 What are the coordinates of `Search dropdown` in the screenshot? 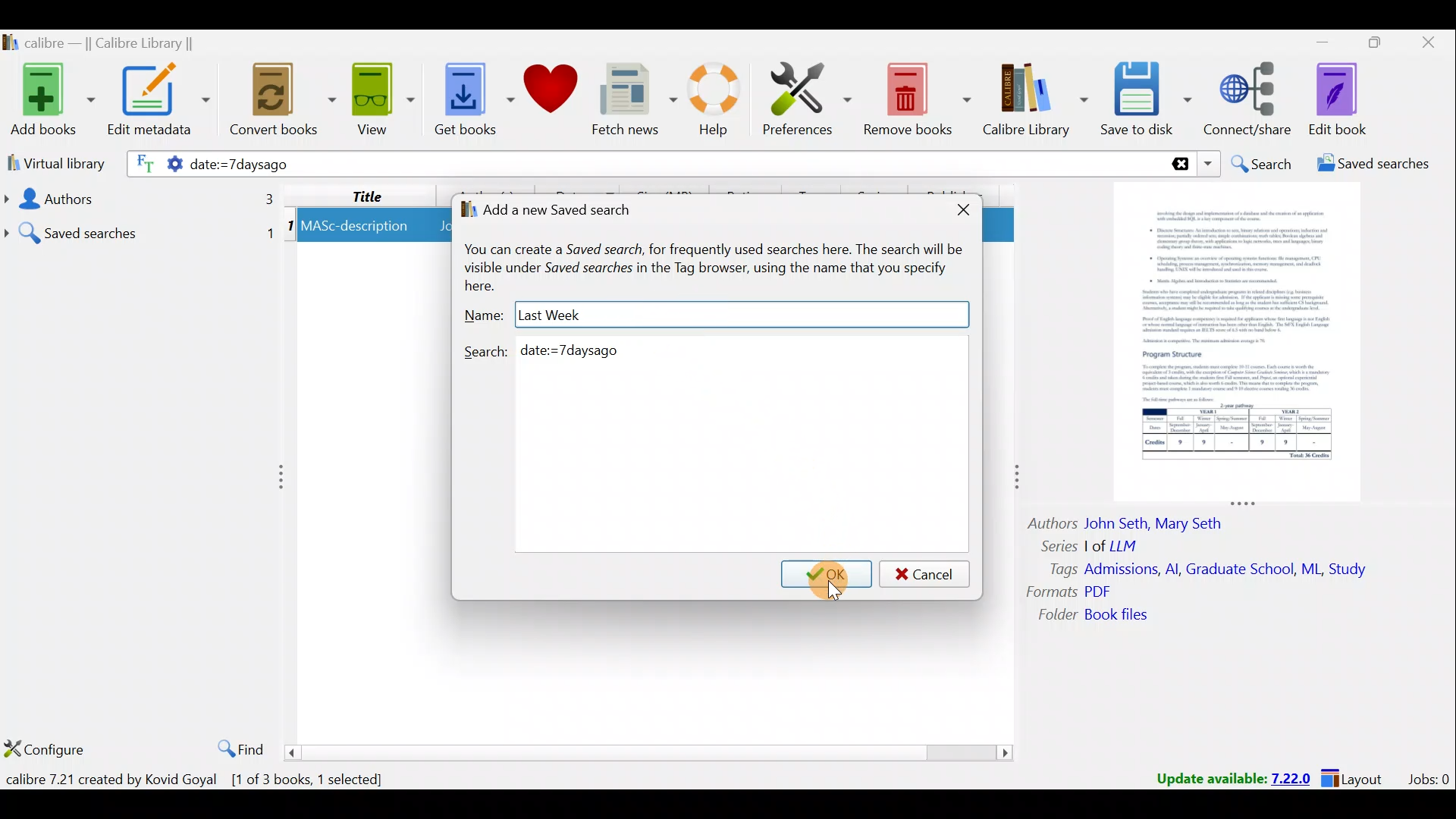 It's located at (1207, 164).